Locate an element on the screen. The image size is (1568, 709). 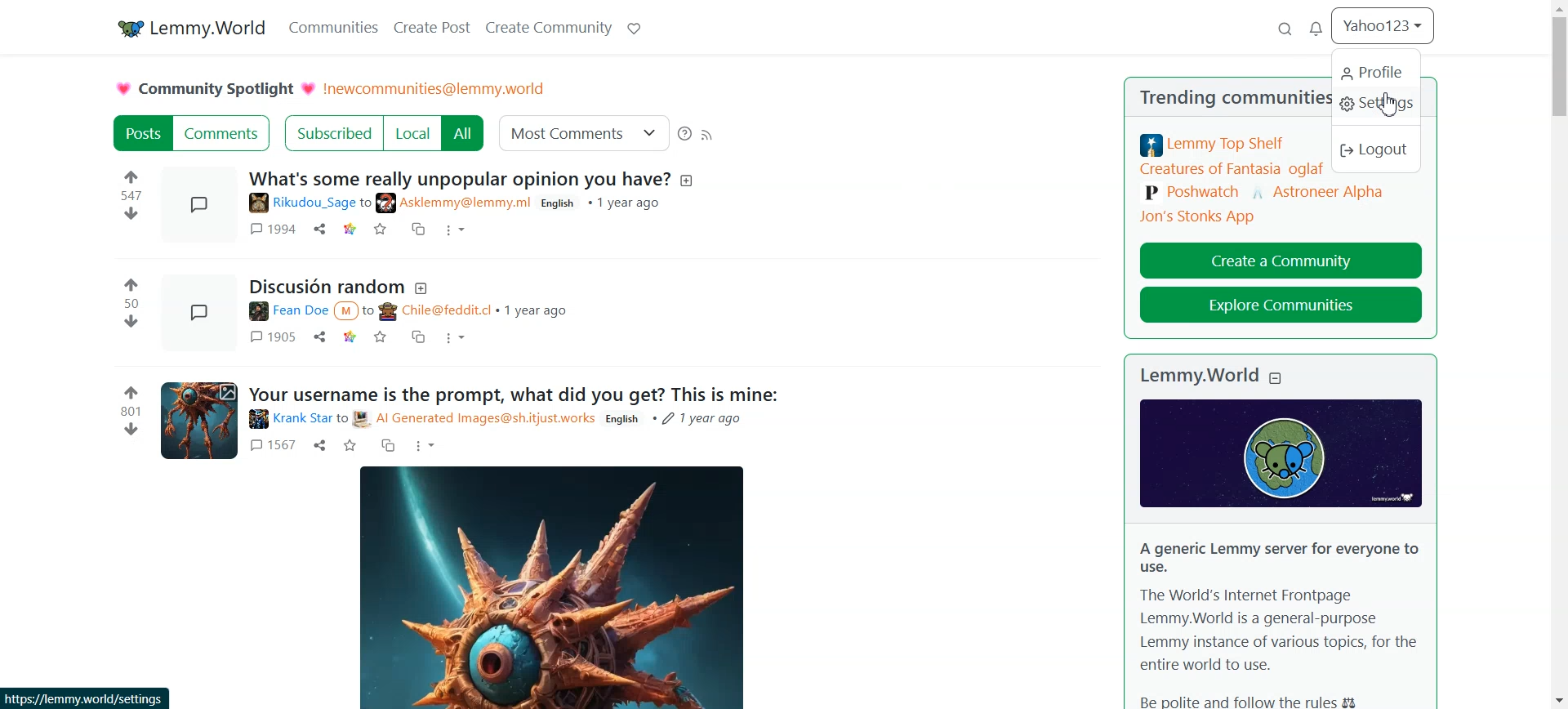
Discusion random is located at coordinates (325, 288).